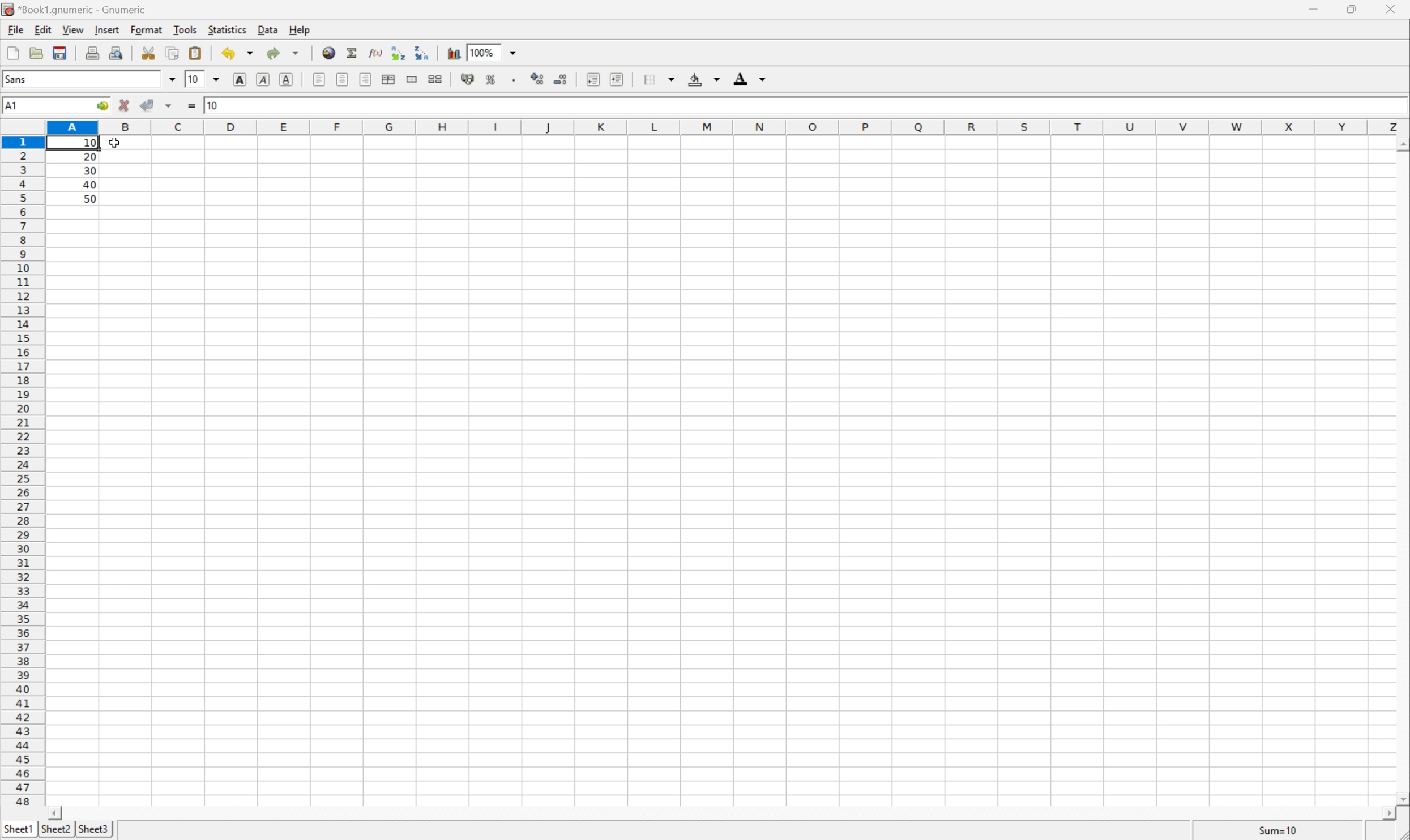 The height and width of the screenshot is (840, 1410). I want to click on Scroll Left, so click(57, 814).